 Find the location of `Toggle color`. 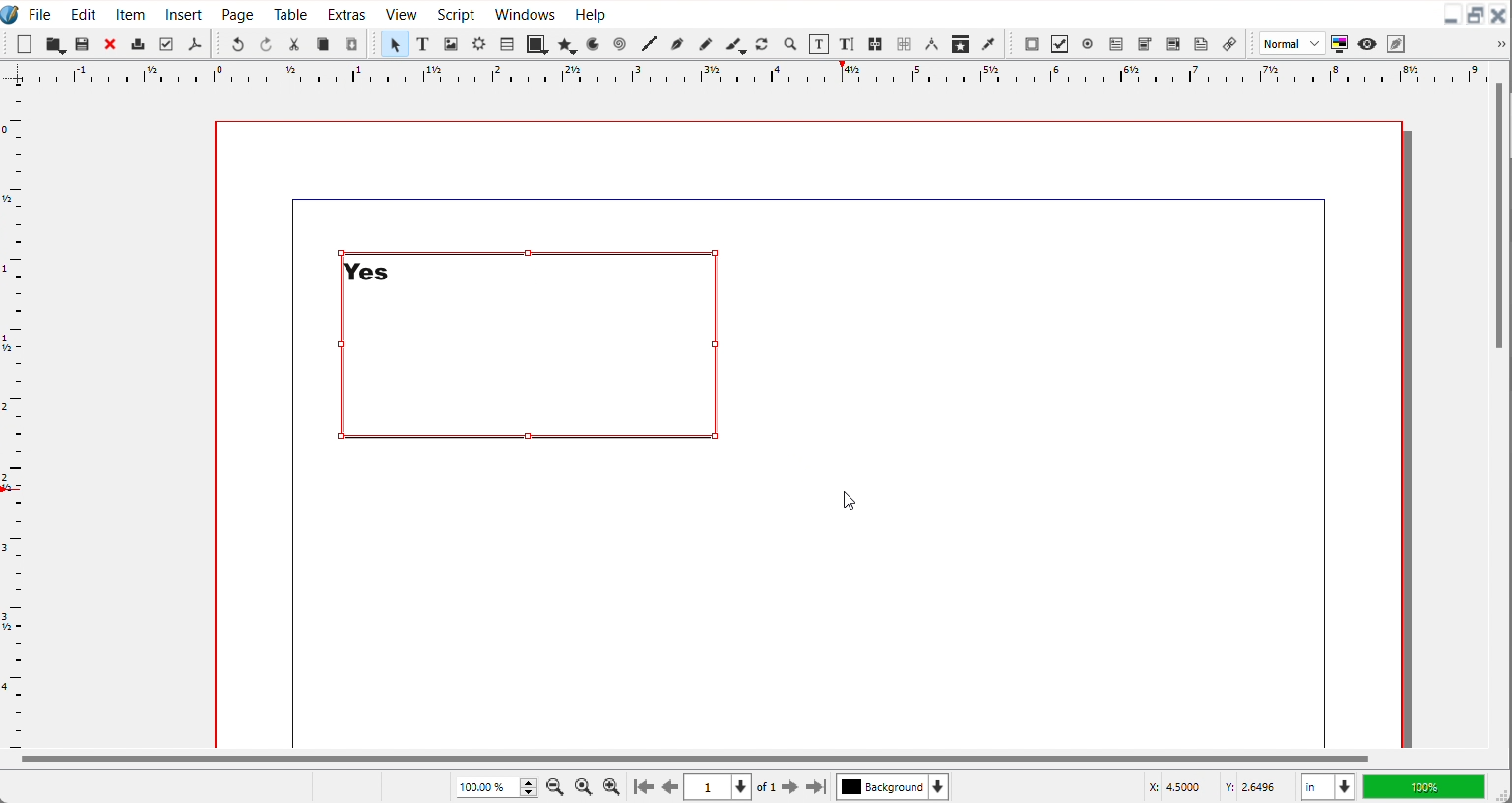

Toggle color is located at coordinates (1341, 44).